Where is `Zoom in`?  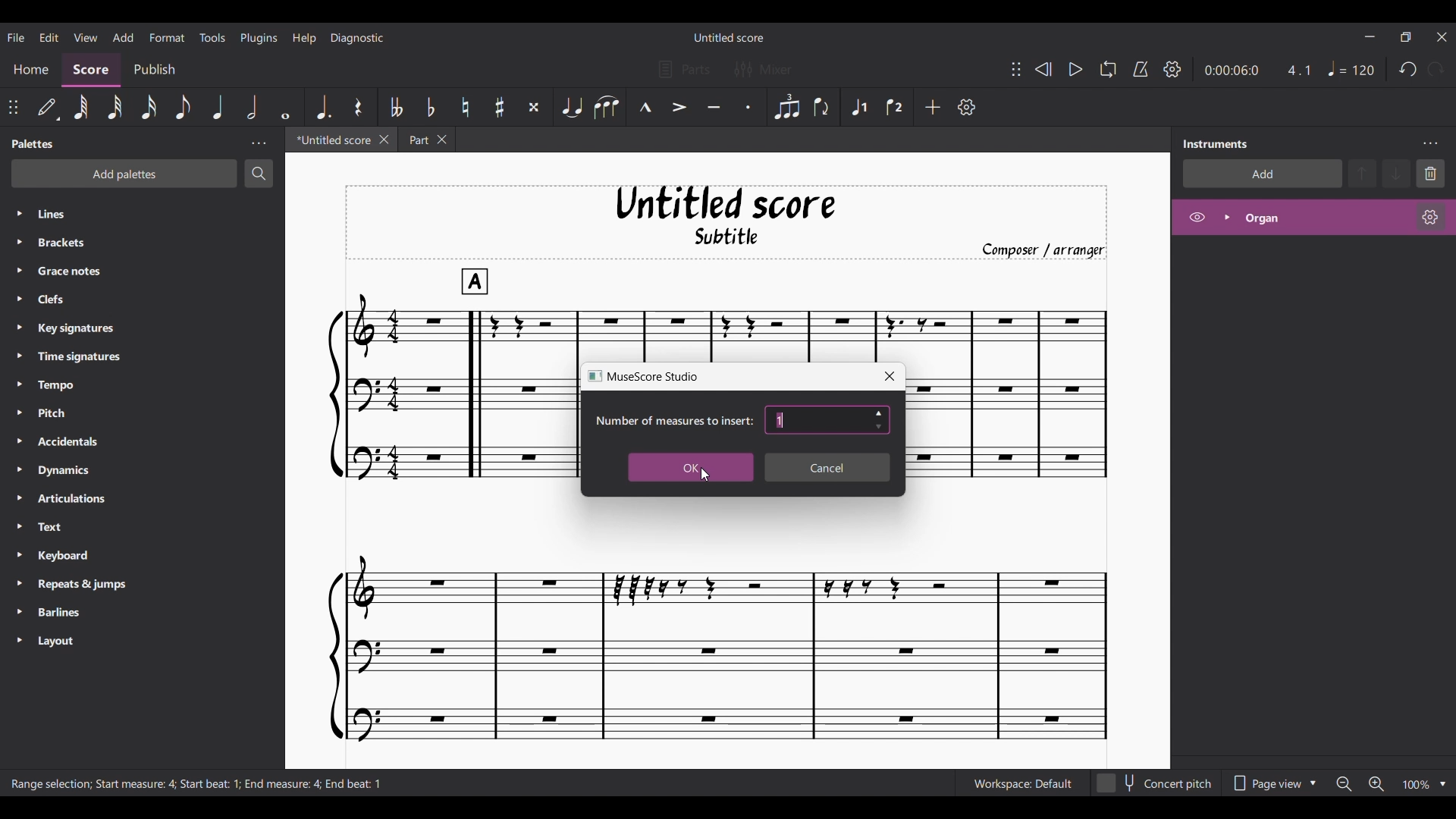 Zoom in is located at coordinates (1376, 784).